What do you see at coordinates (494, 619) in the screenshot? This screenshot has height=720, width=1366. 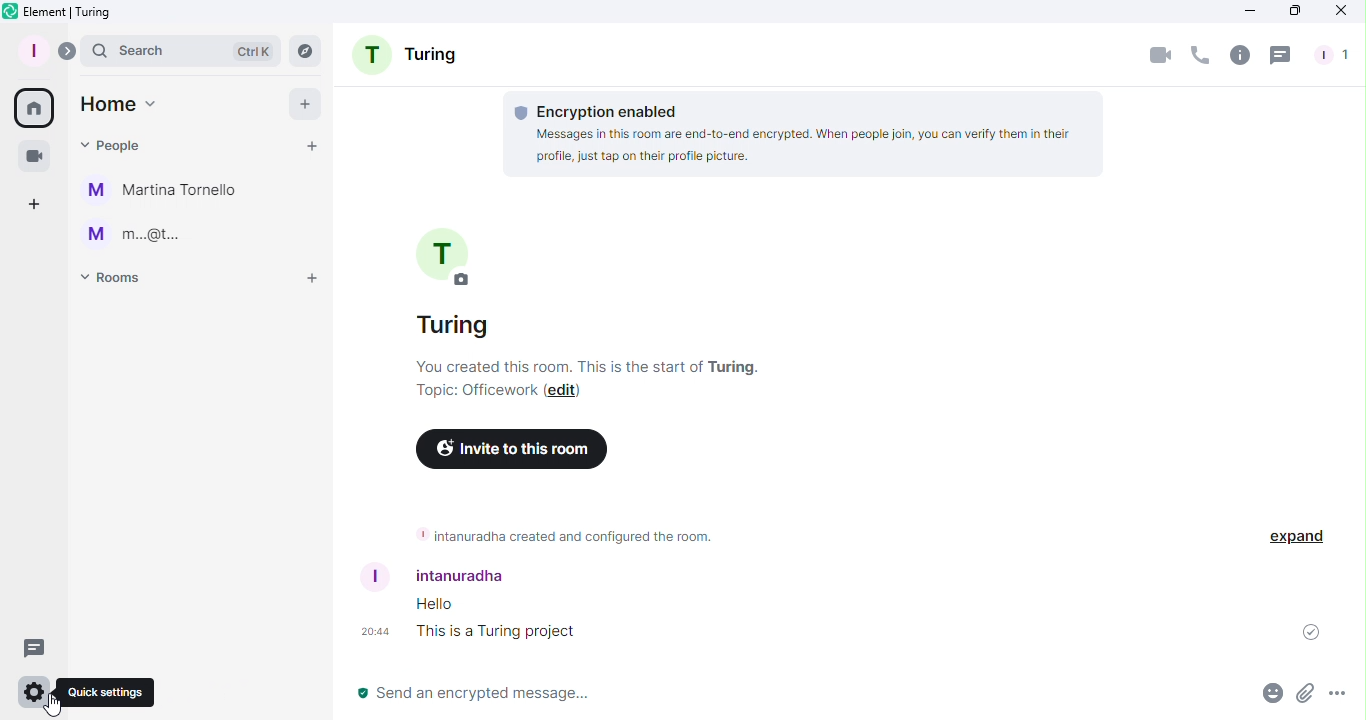 I see `Messages` at bounding box center [494, 619].